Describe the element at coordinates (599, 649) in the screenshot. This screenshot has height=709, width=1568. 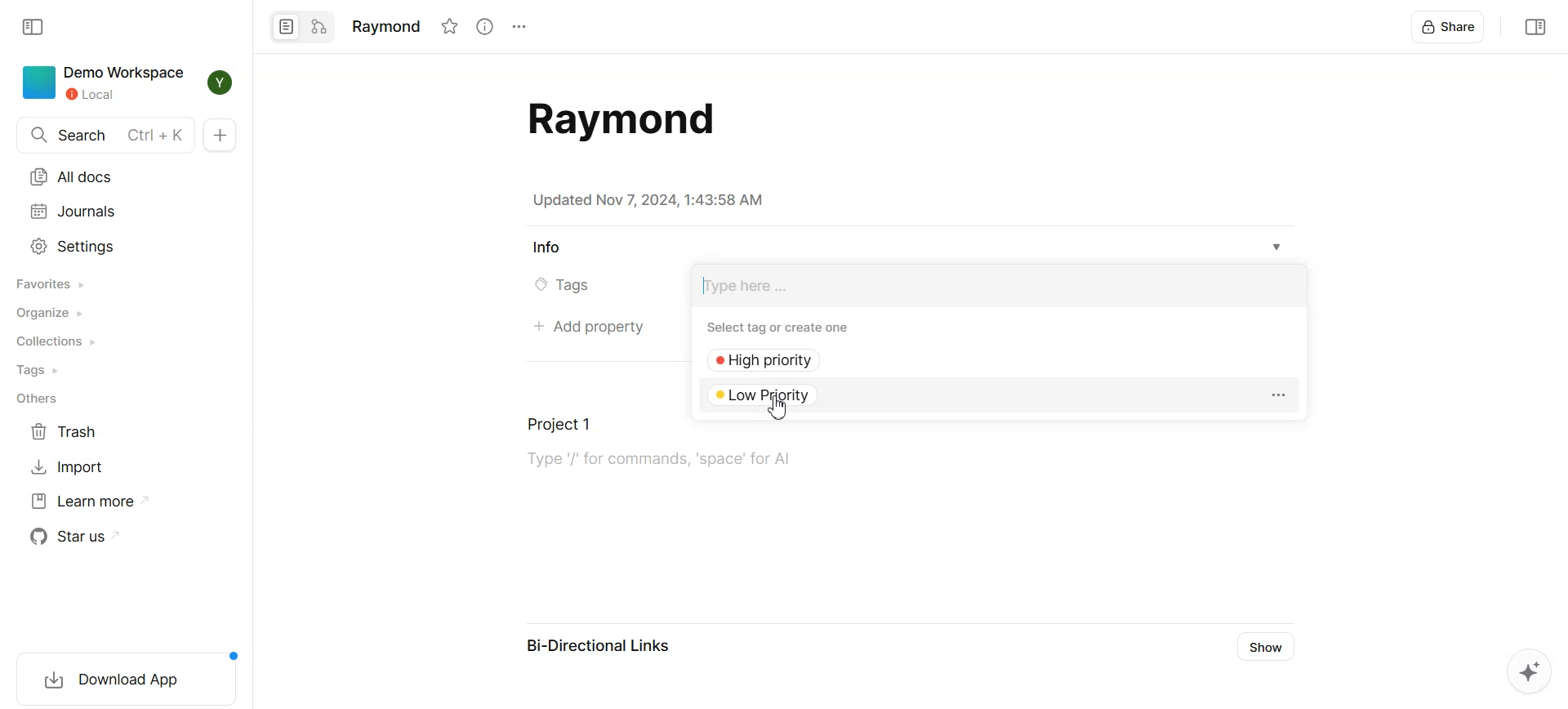
I see `Bi-Directional Links` at that location.